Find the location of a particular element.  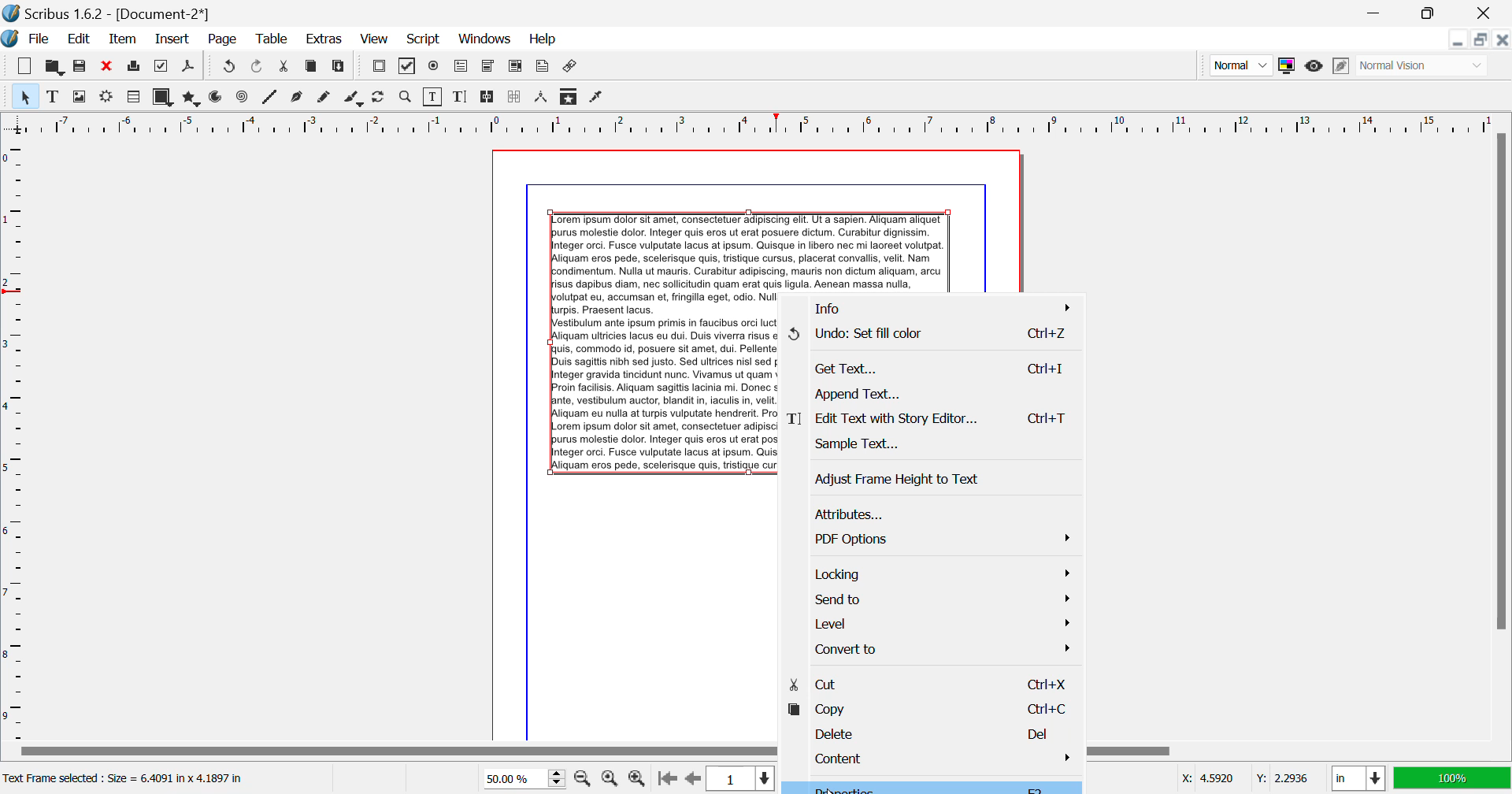

Page is located at coordinates (221, 40).